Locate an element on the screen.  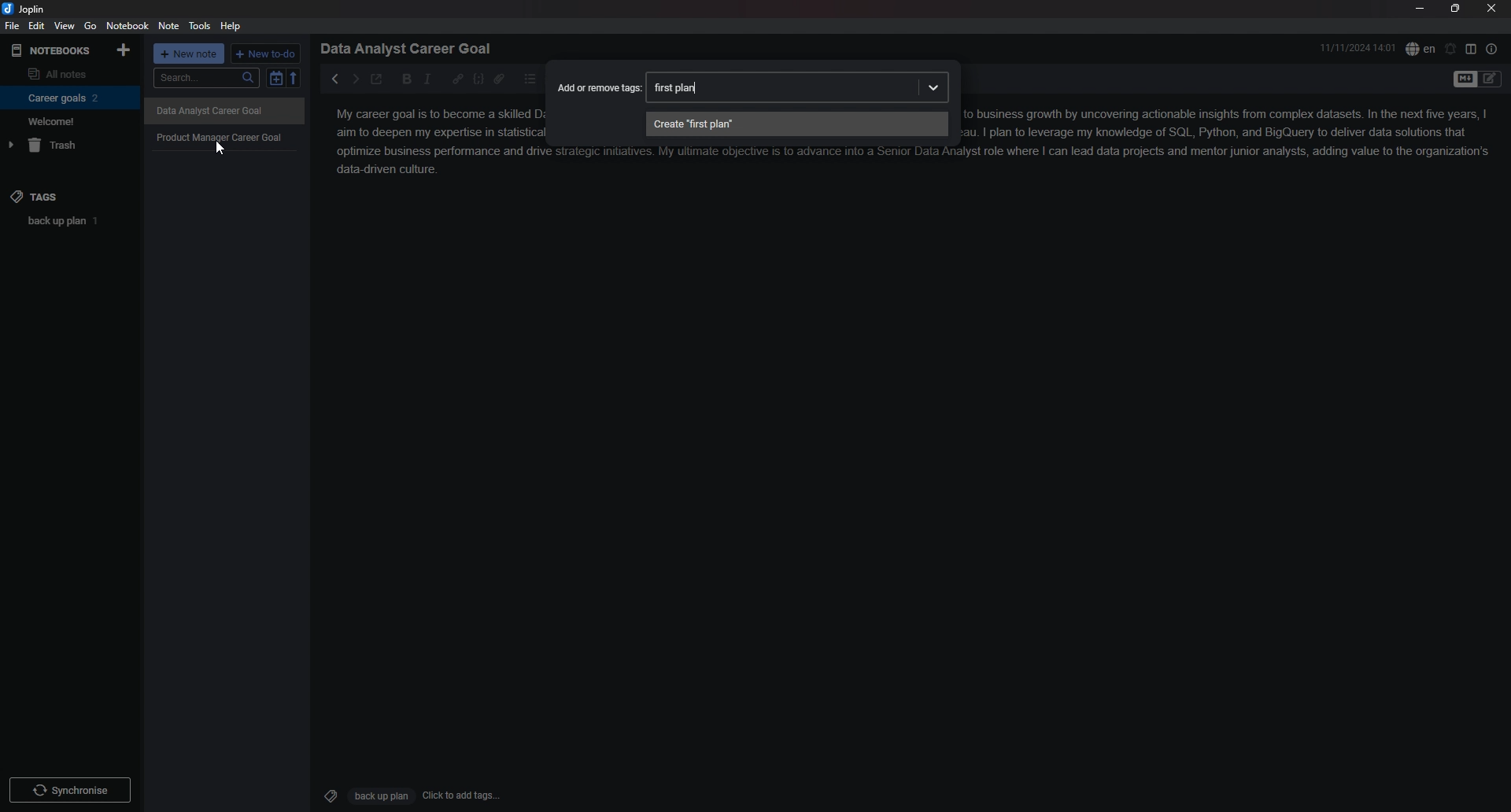
bold is located at coordinates (408, 79).